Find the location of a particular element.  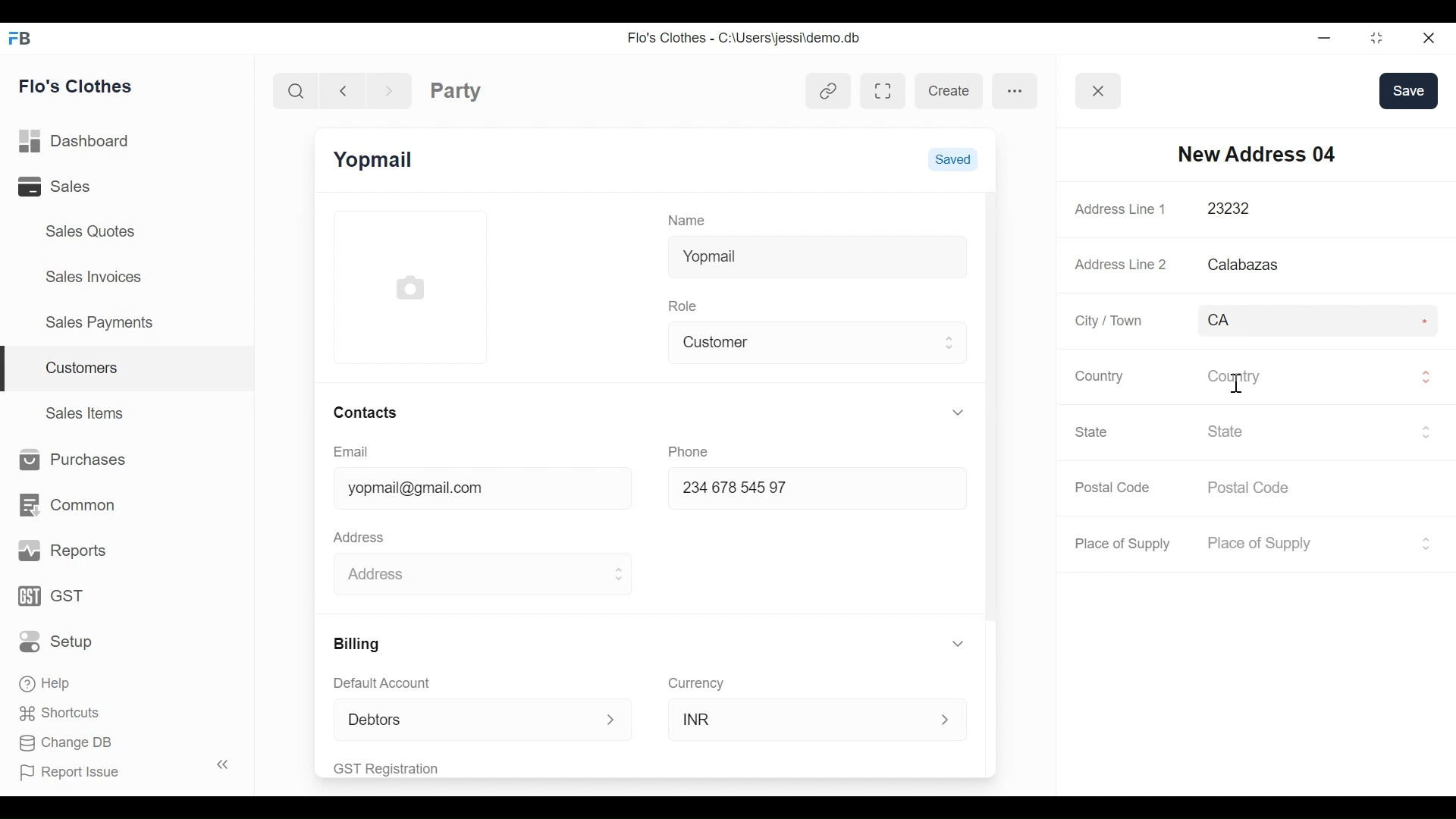

CA is located at coordinates (1299, 320).